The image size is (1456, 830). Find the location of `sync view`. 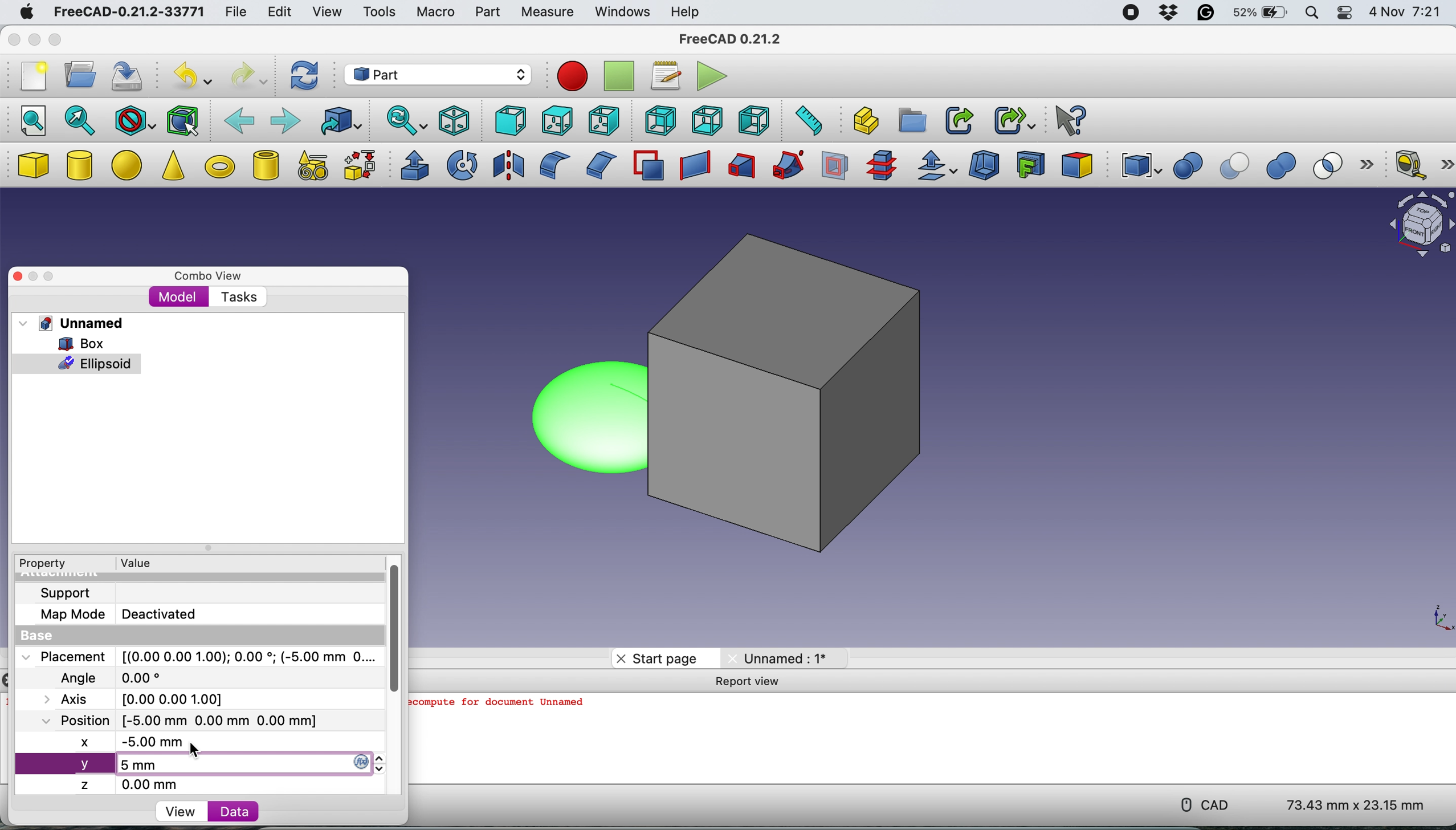

sync view is located at coordinates (404, 122).